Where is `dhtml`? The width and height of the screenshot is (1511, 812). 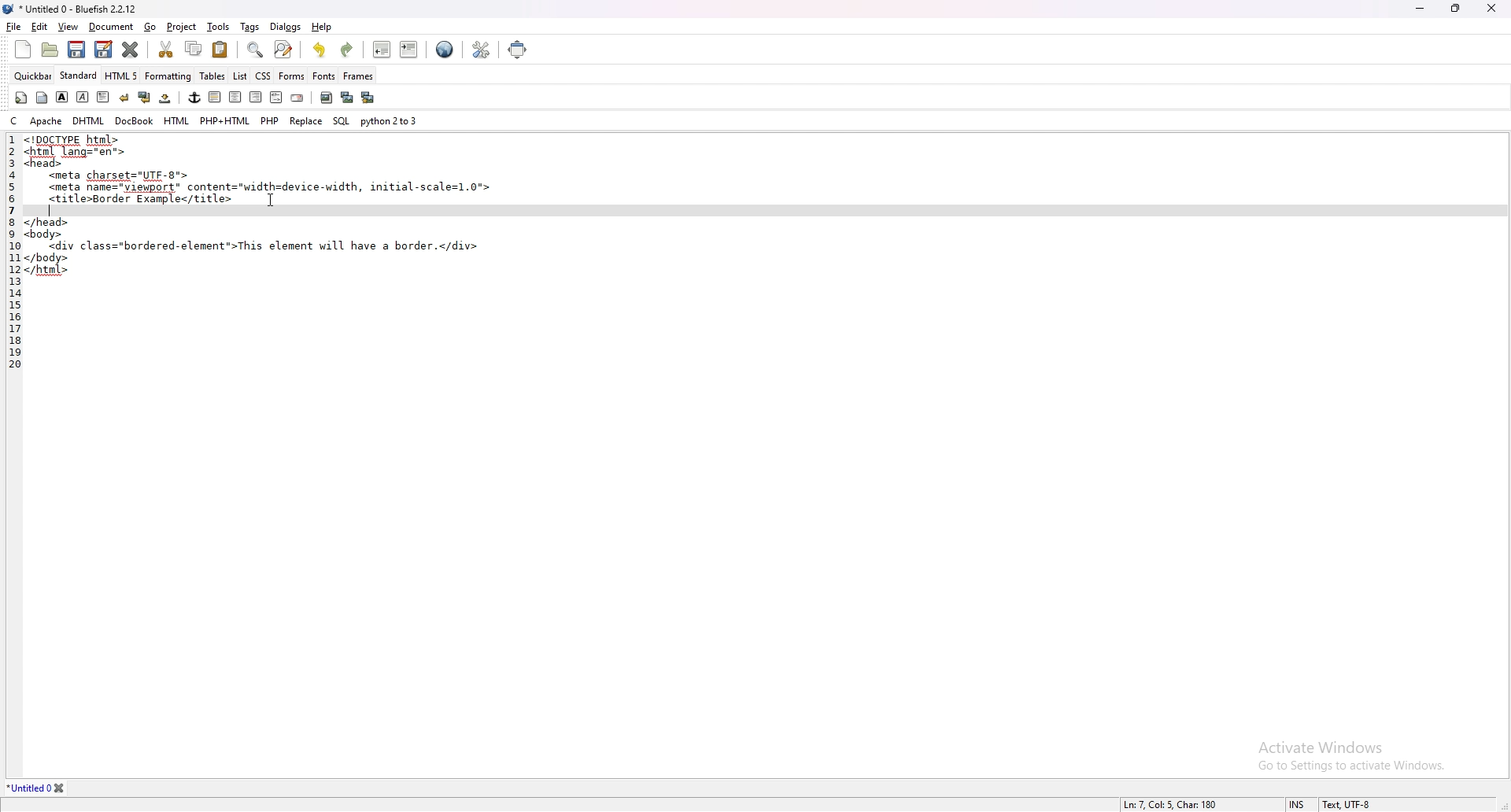 dhtml is located at coordinates (90, 120).